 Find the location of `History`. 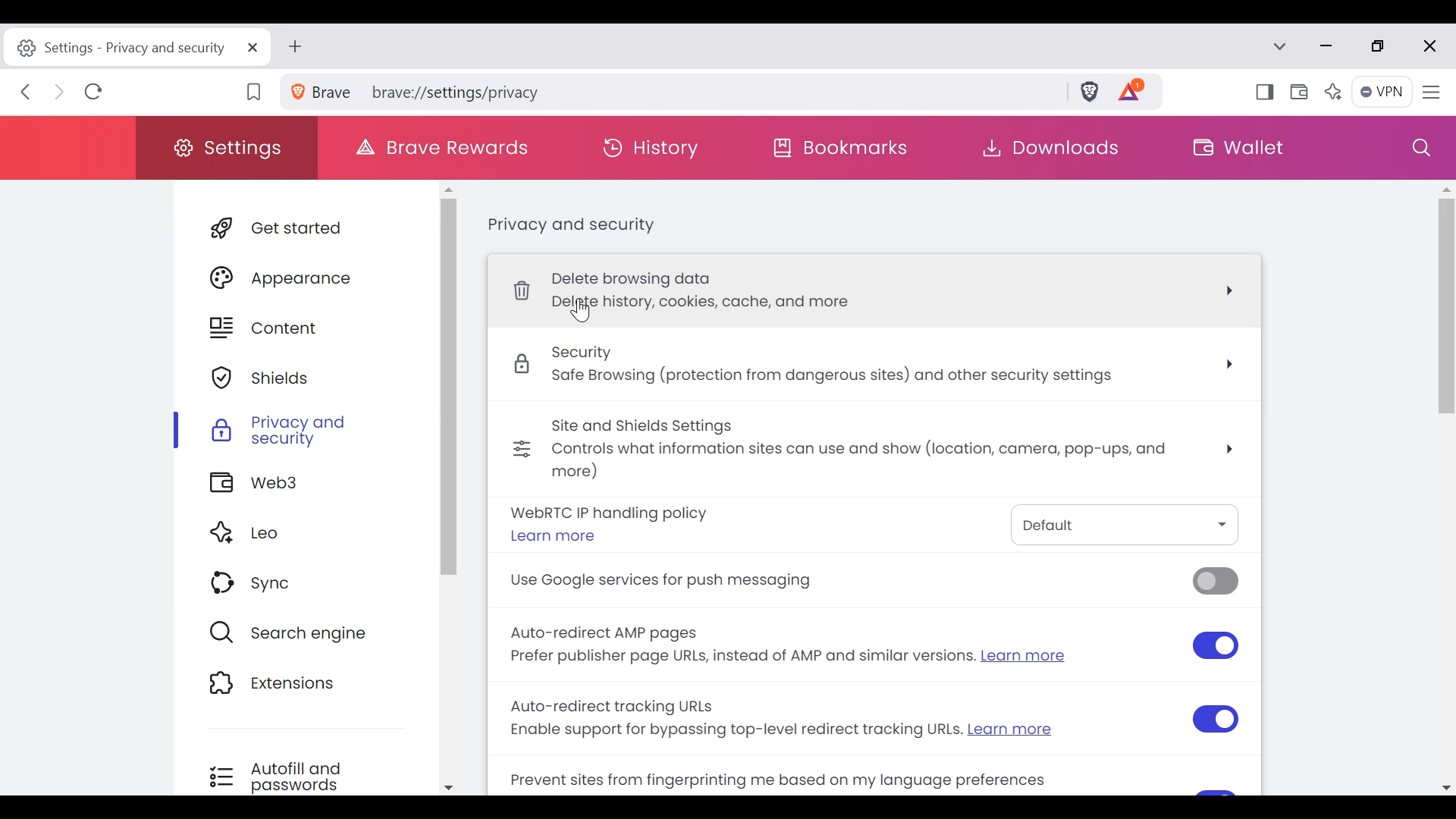

History is located at coordinates (657, 146).